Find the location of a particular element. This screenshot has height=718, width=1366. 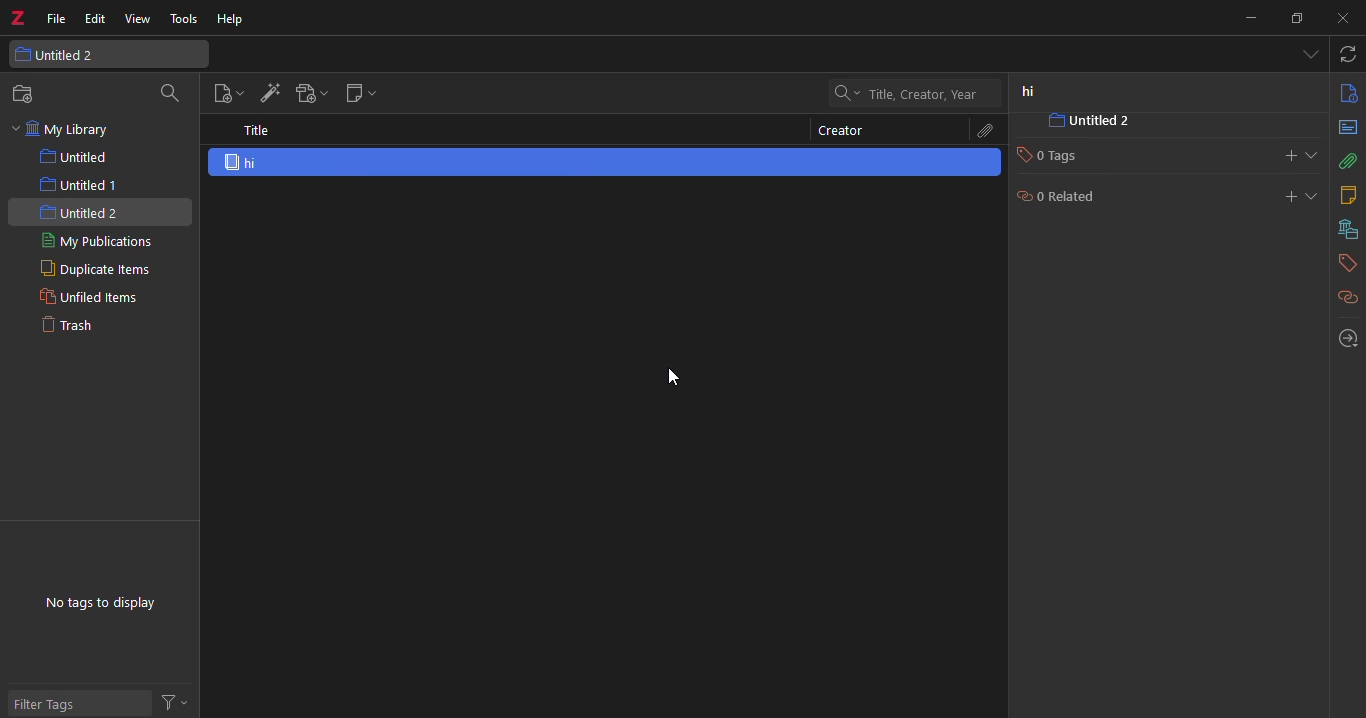

expand is located at coordinates (1317, 197).